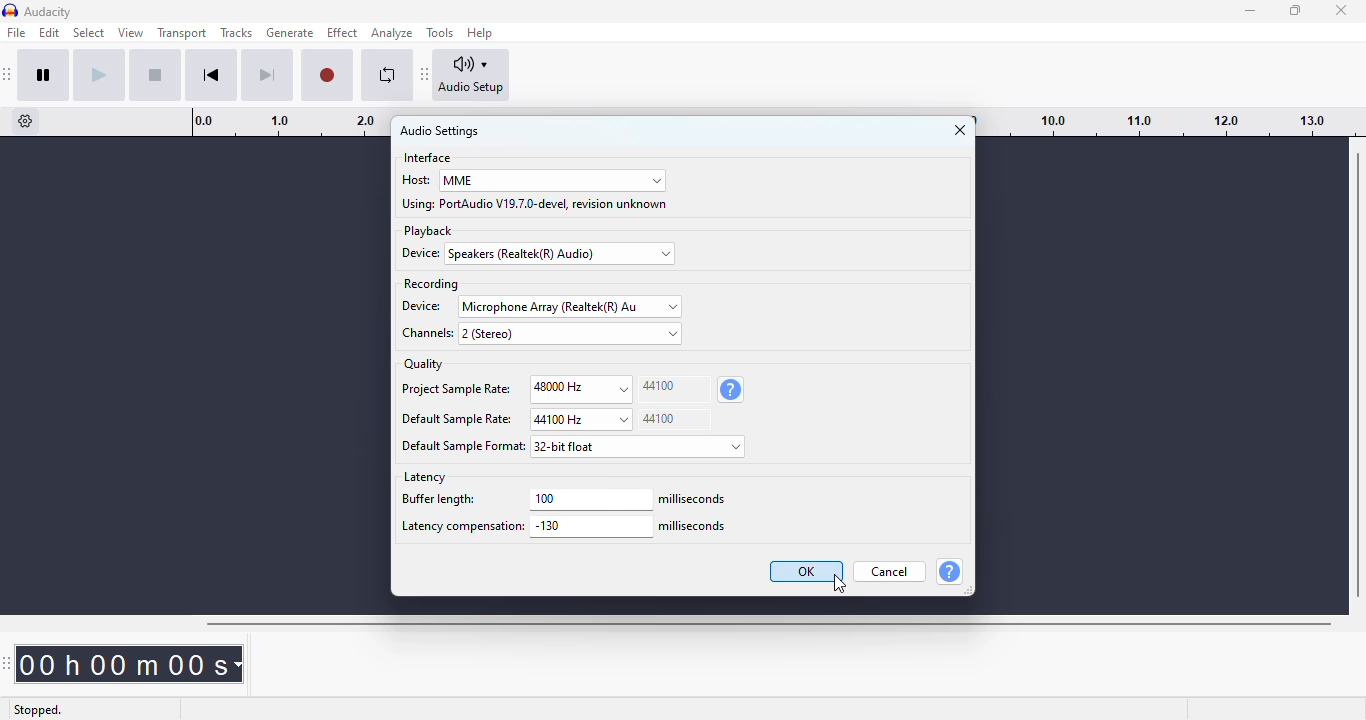  What do you see at coordinates (591, 527) in the screenshot?
I see `edit latency compensation` at bounding box center [591, 527].